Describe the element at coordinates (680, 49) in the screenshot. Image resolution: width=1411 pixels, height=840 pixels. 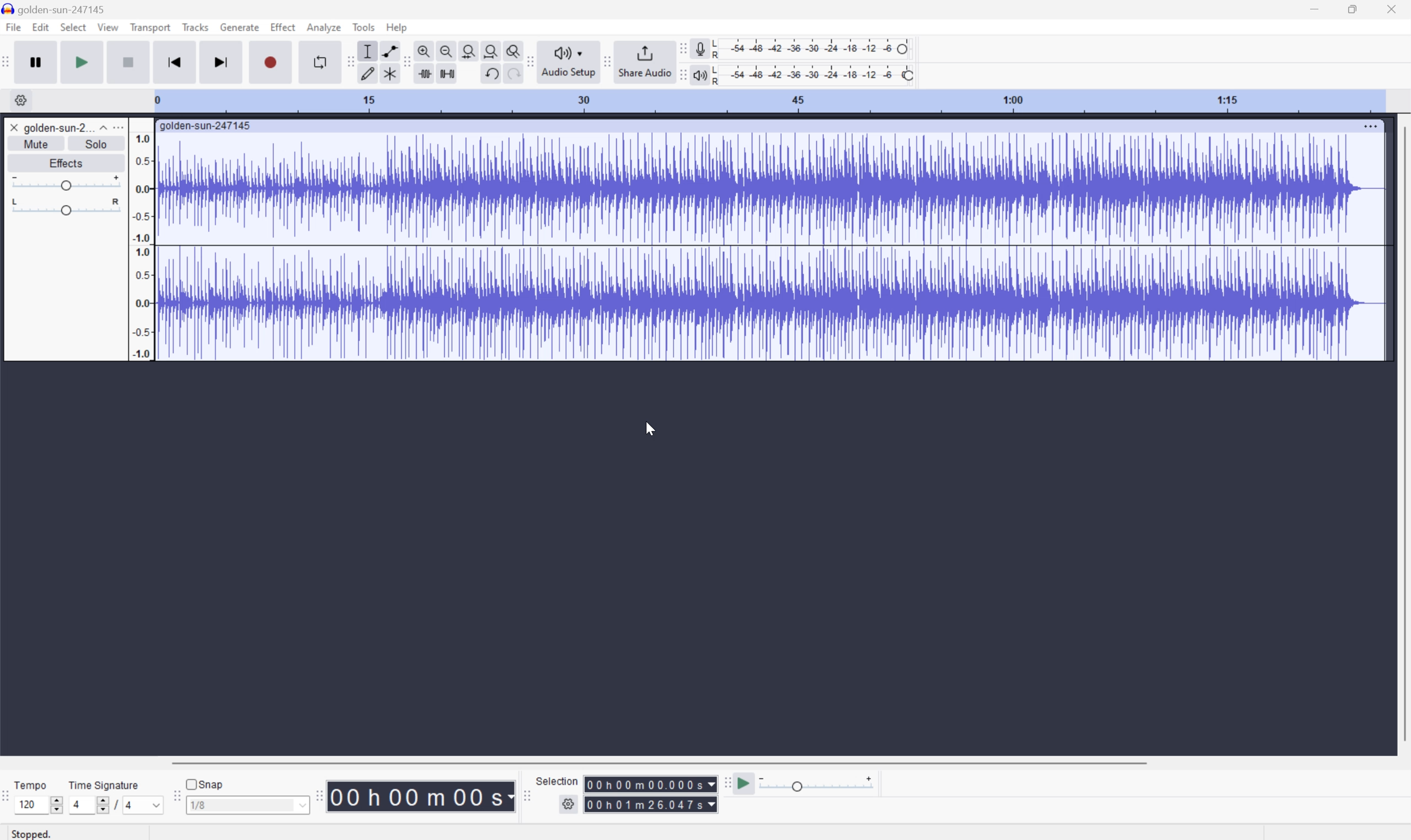
I see `Audacity recording meter toolbar` at that location.